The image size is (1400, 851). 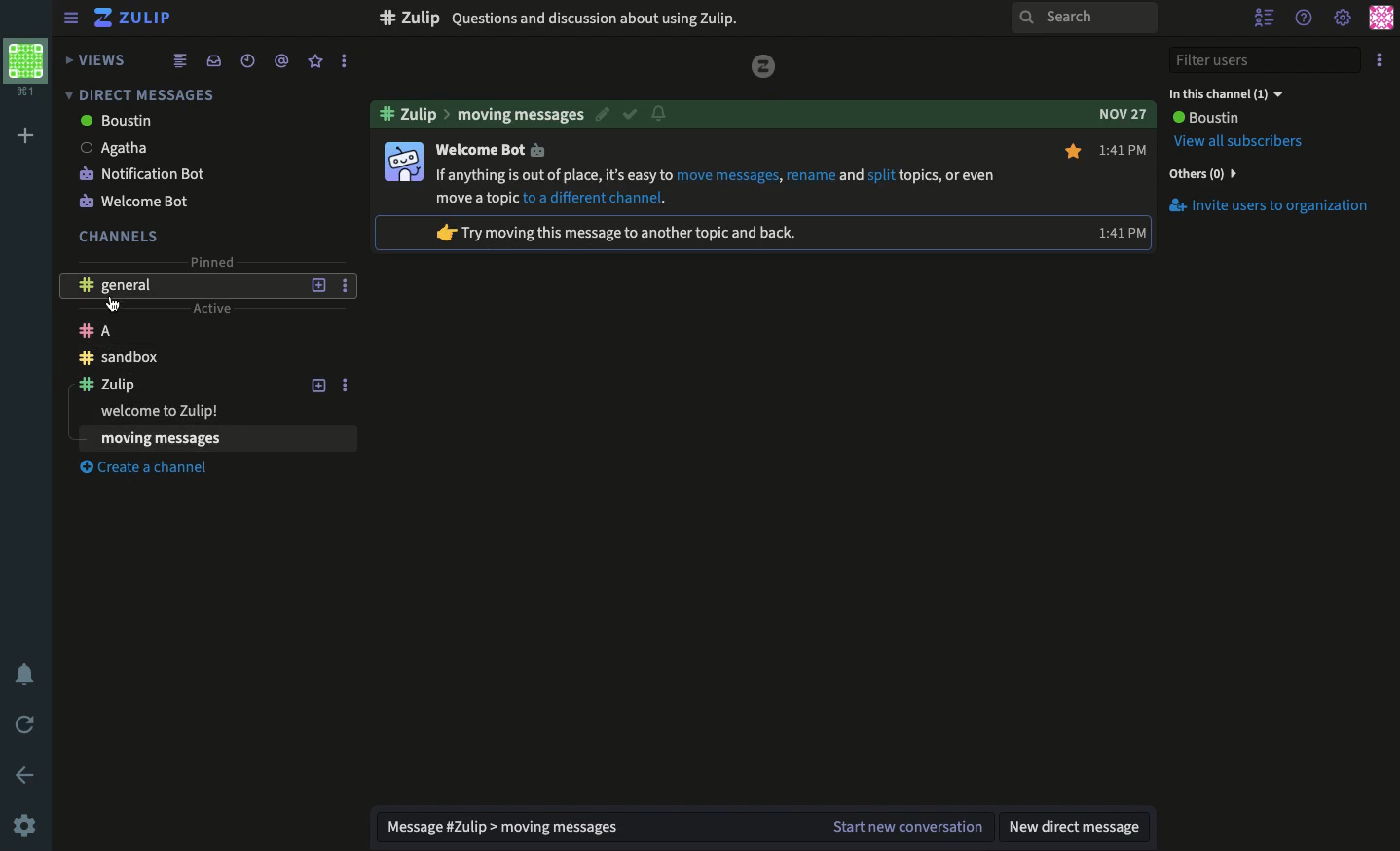 I want to click on Active, so click(x=210, y=306).